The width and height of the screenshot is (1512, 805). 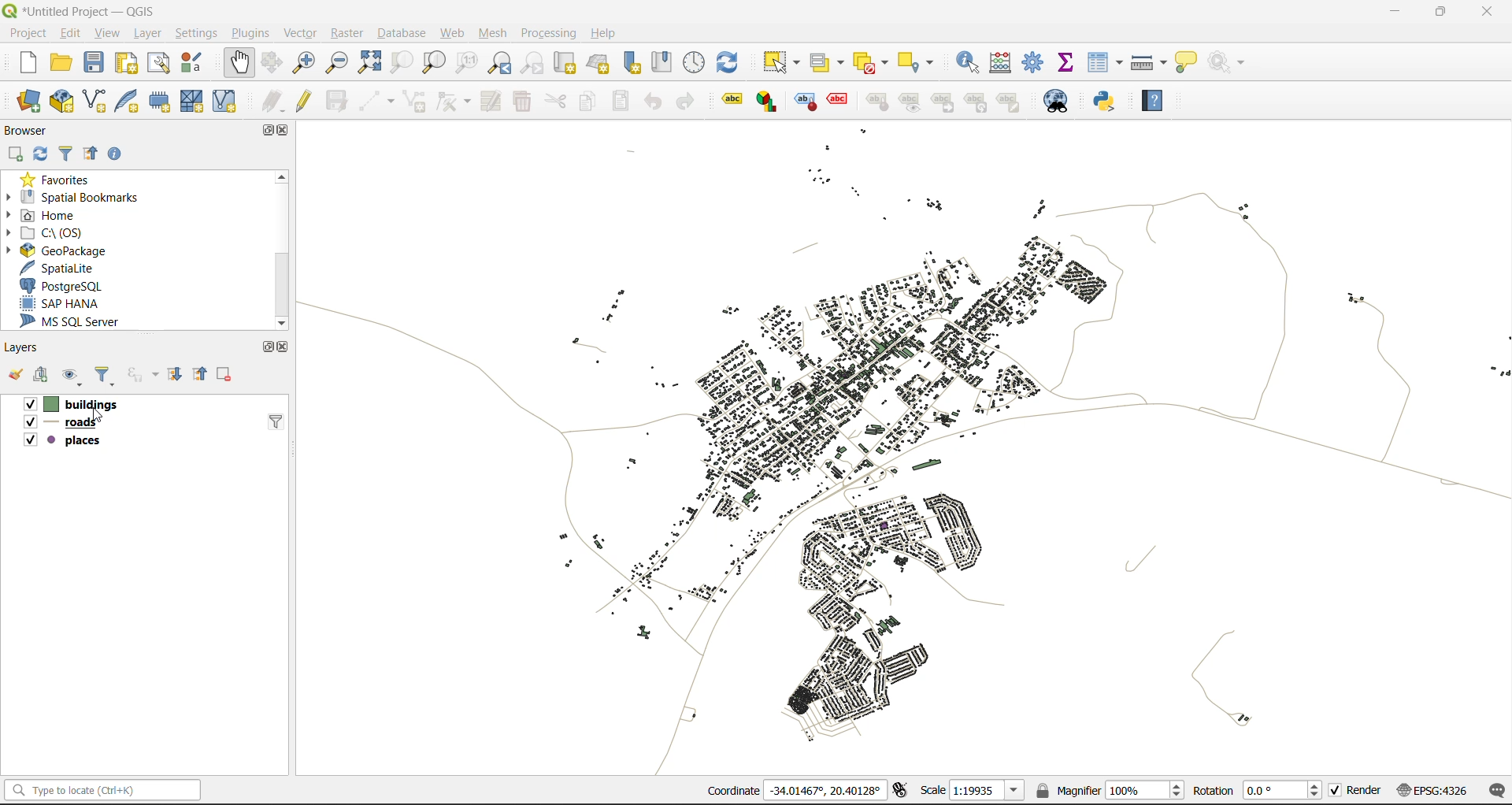 What do you see at coordinates (695, 61) in the screenshot?
I see `control panel` at bounding box center [695, 61].